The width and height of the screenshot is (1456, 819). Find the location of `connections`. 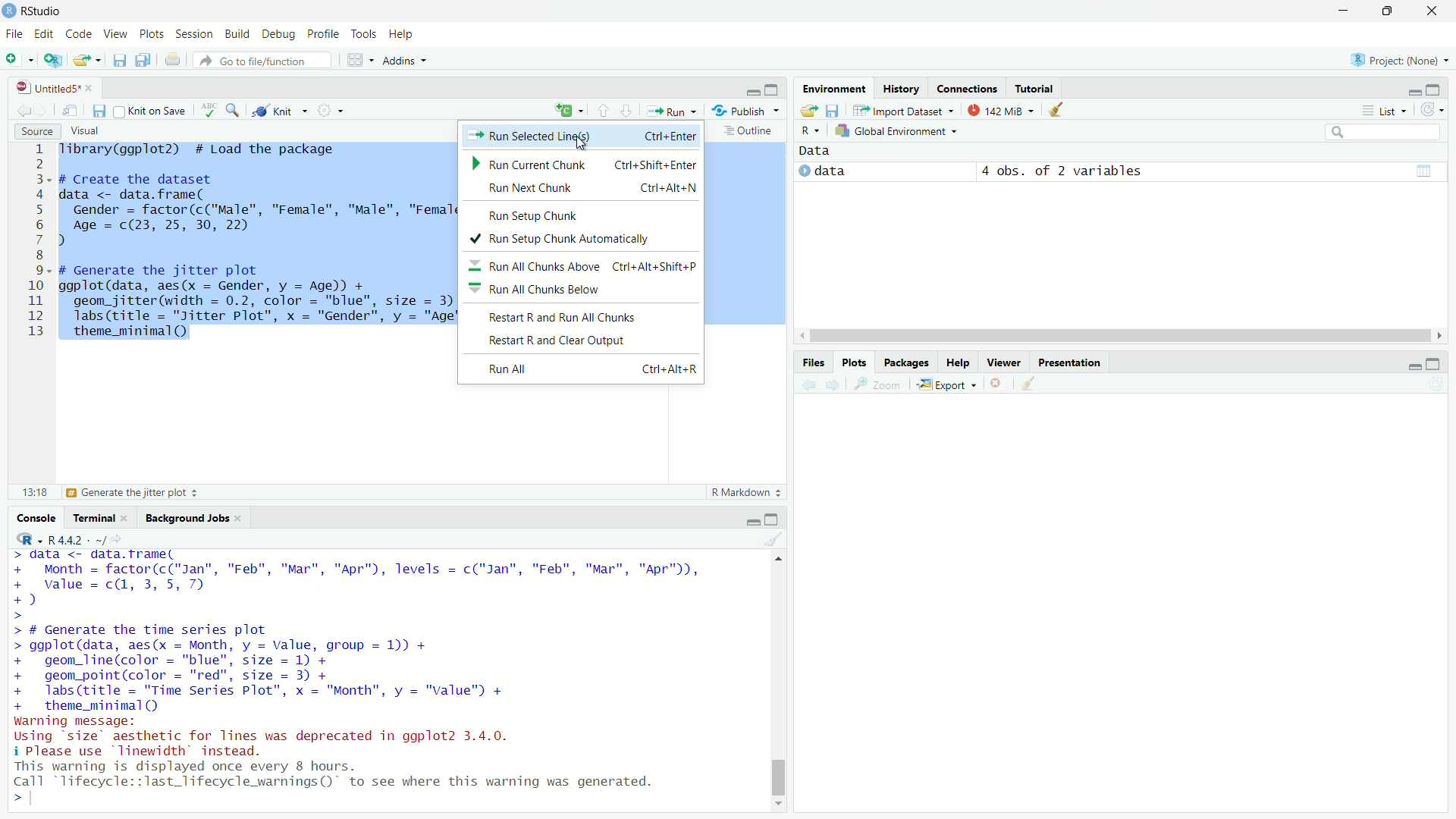

connections is located at coordinates (968, 87).